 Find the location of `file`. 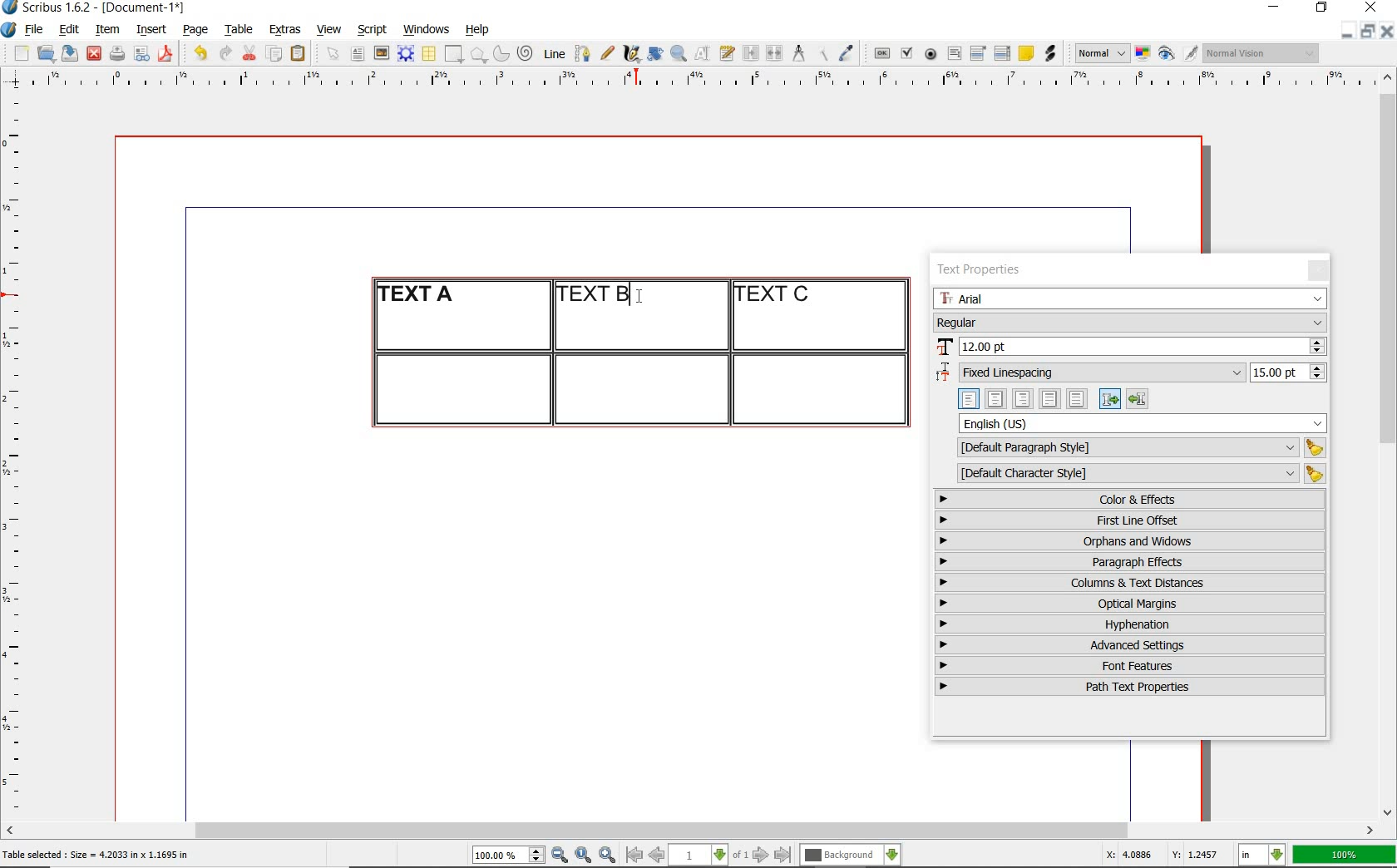

file is located at coordinates (36, 30).